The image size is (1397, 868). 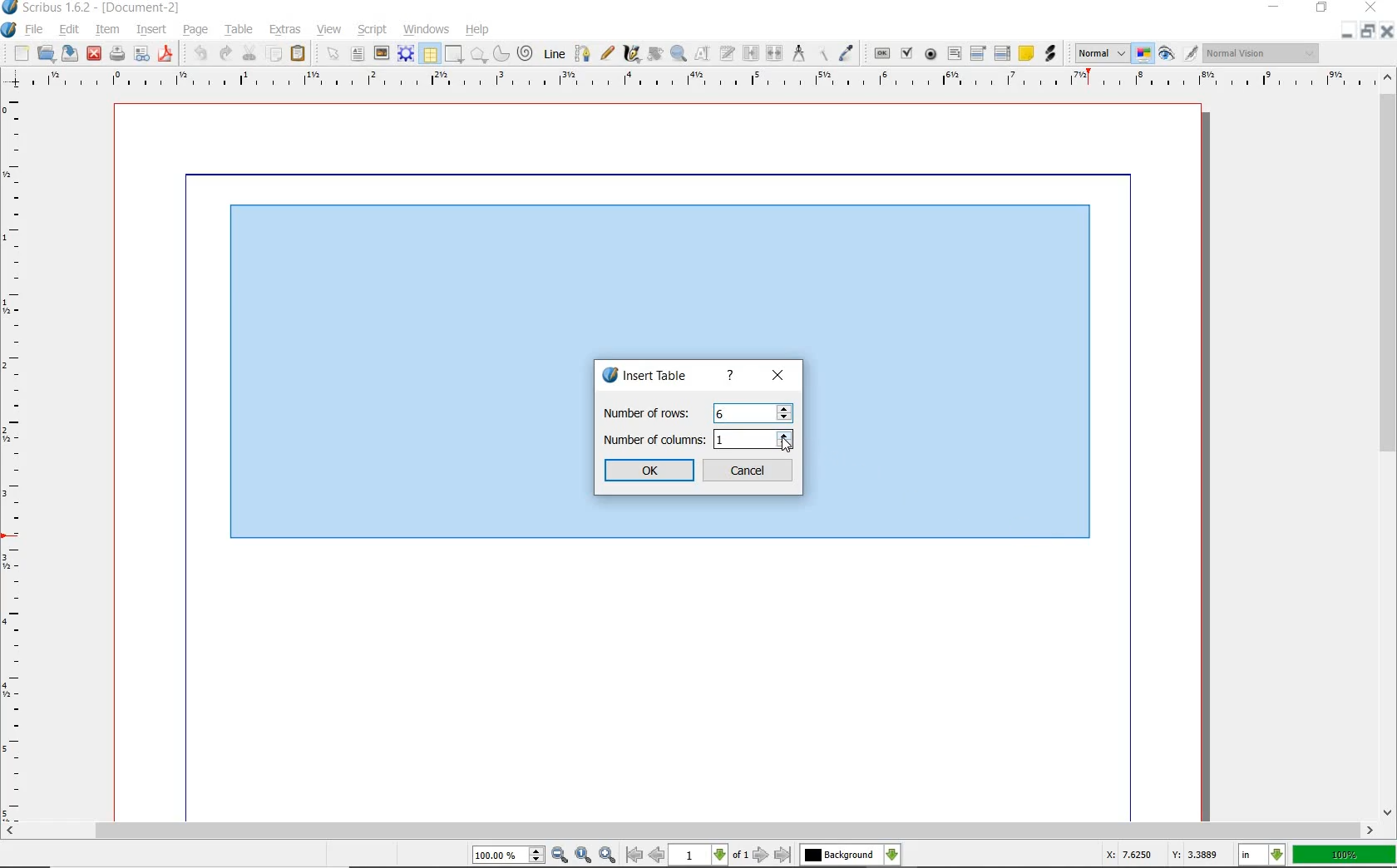 What do you see at coordinates (608, 54) in the screenshot?
I see `freehand line` at bounding box center [608, 54].